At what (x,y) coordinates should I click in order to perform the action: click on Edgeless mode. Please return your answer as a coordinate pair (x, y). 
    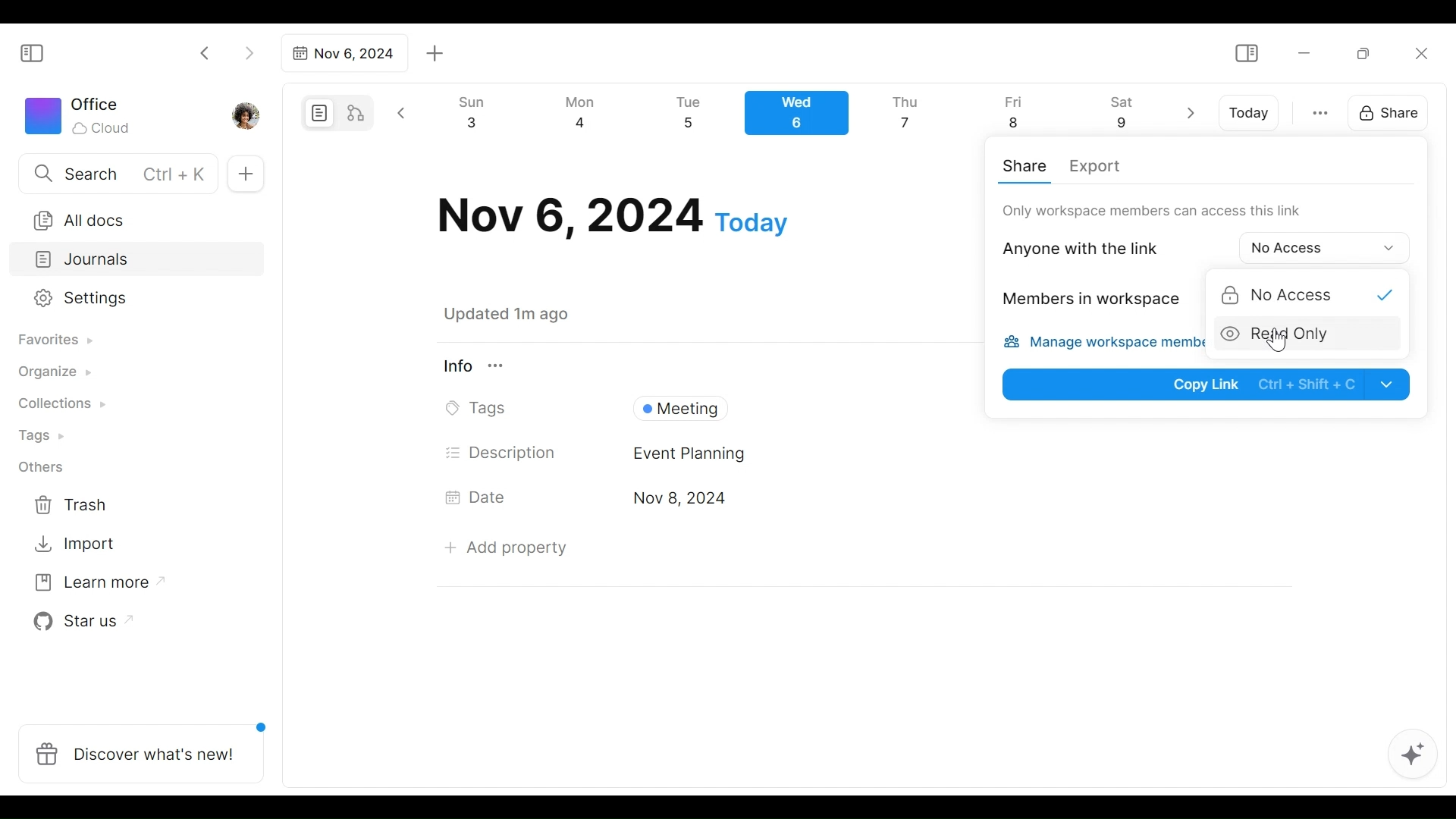
    Looking at the image, I should click on (357, 112).